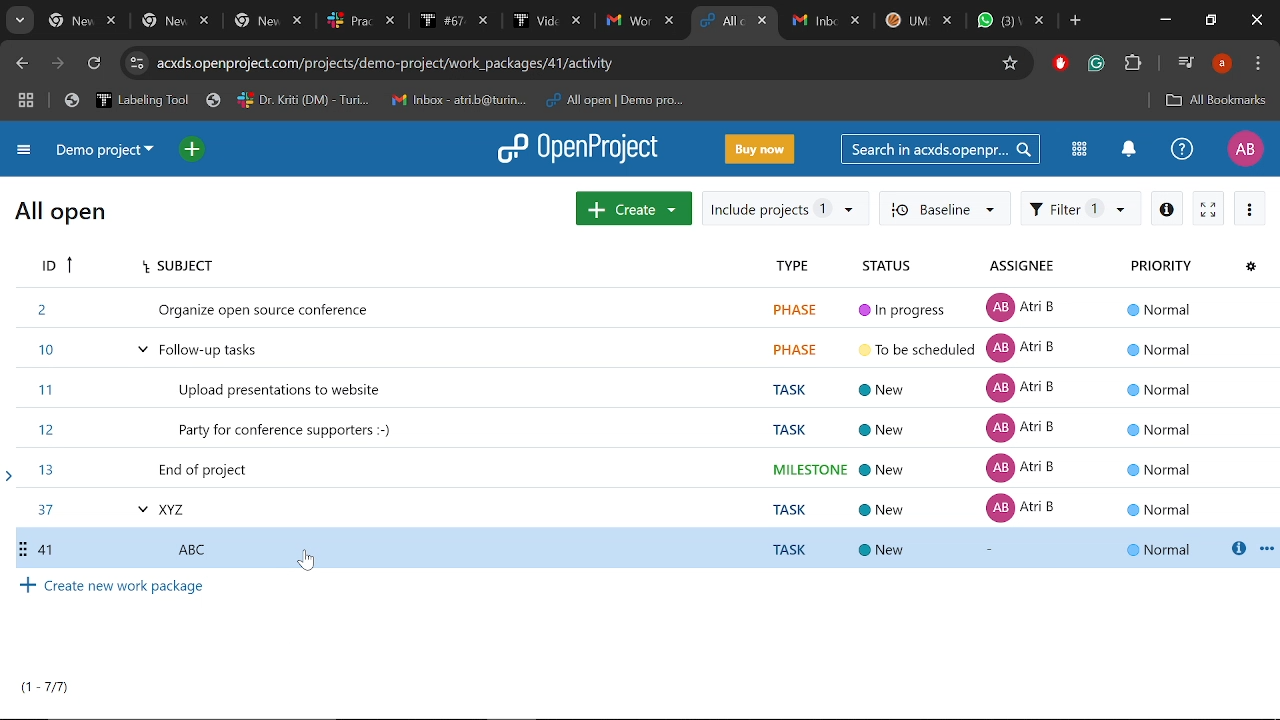  What do you see at coordinates (1135, 64) in the screenshot?
I see `Extensions` at bounding box center [1135, 64].